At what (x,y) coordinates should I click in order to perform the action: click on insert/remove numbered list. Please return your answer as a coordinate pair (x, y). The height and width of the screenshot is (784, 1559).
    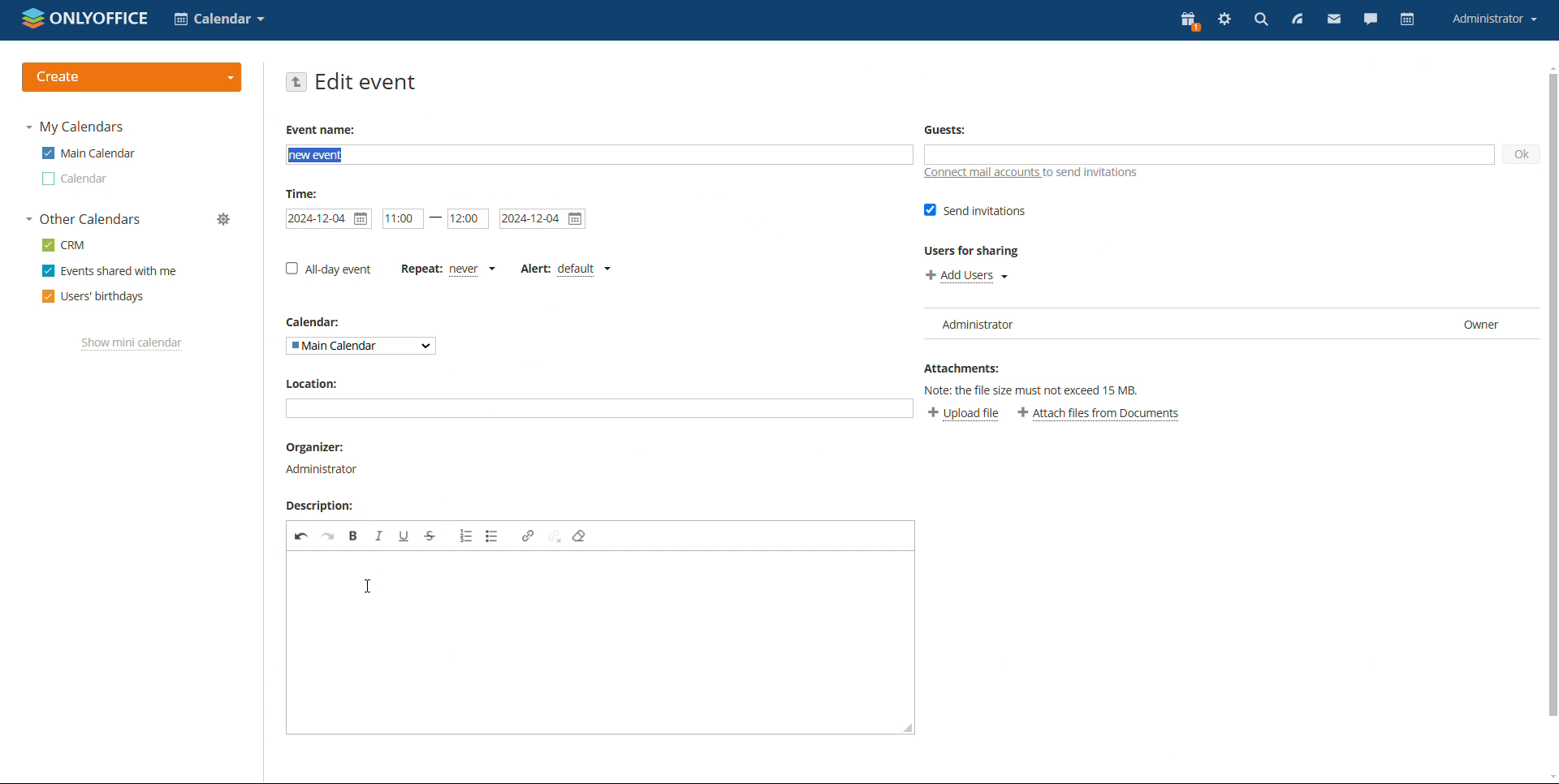
    Looking at the image, I should click on (465, 535).